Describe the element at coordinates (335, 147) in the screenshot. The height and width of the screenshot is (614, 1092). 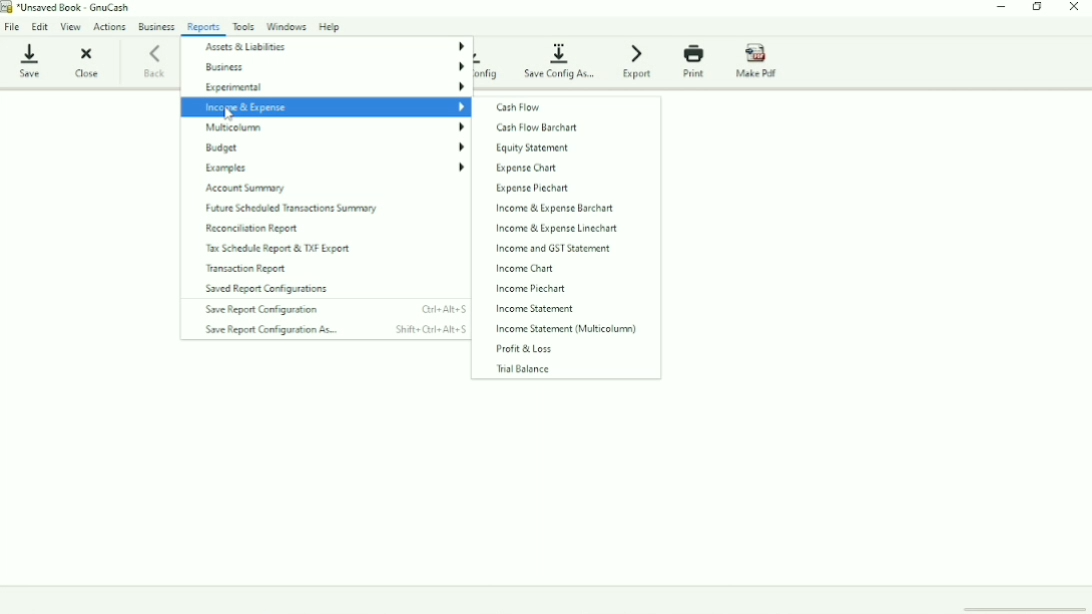
I see `Budget` at that location.